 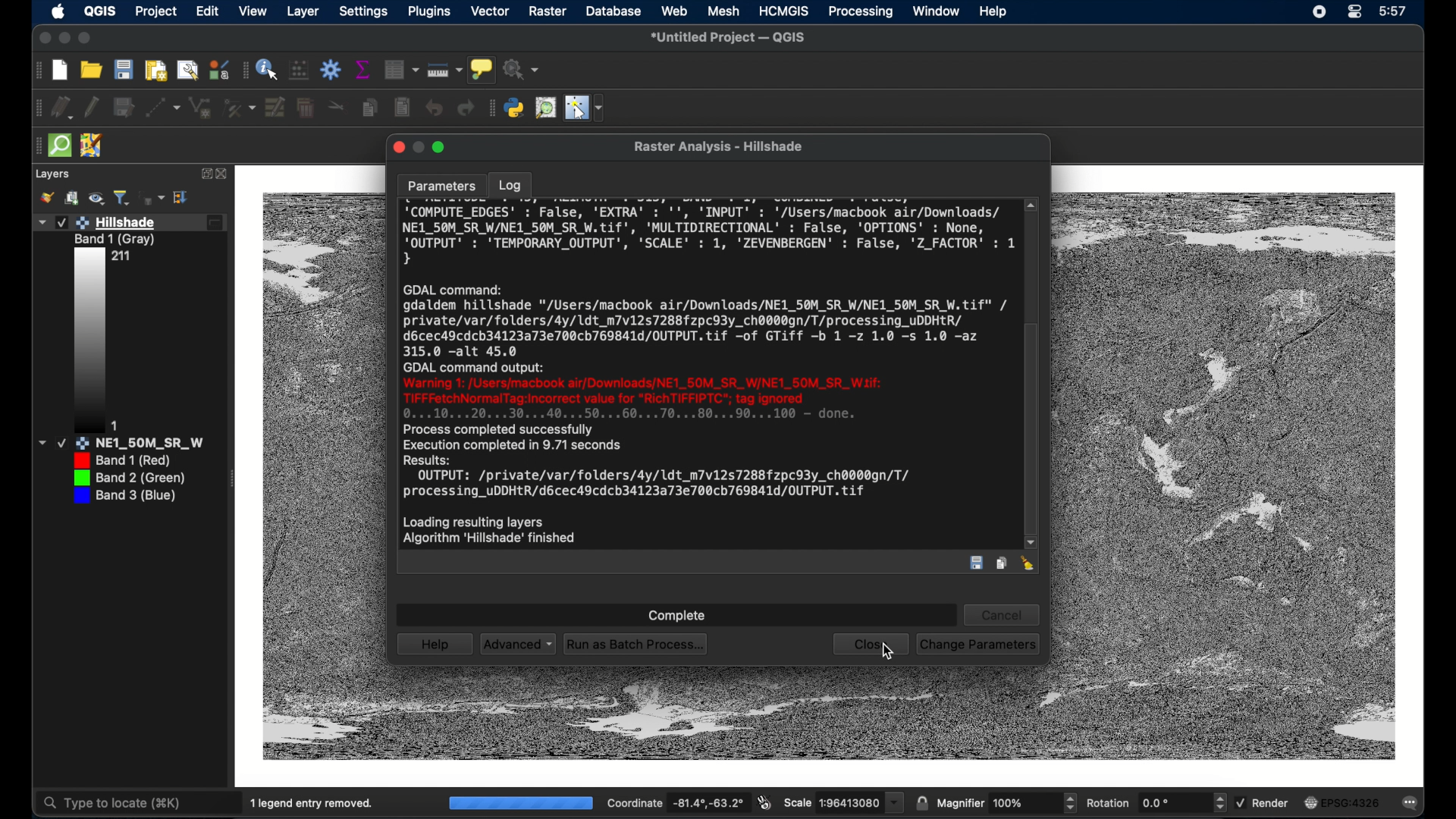 I want to click on complete, so click(x=678, y=615).